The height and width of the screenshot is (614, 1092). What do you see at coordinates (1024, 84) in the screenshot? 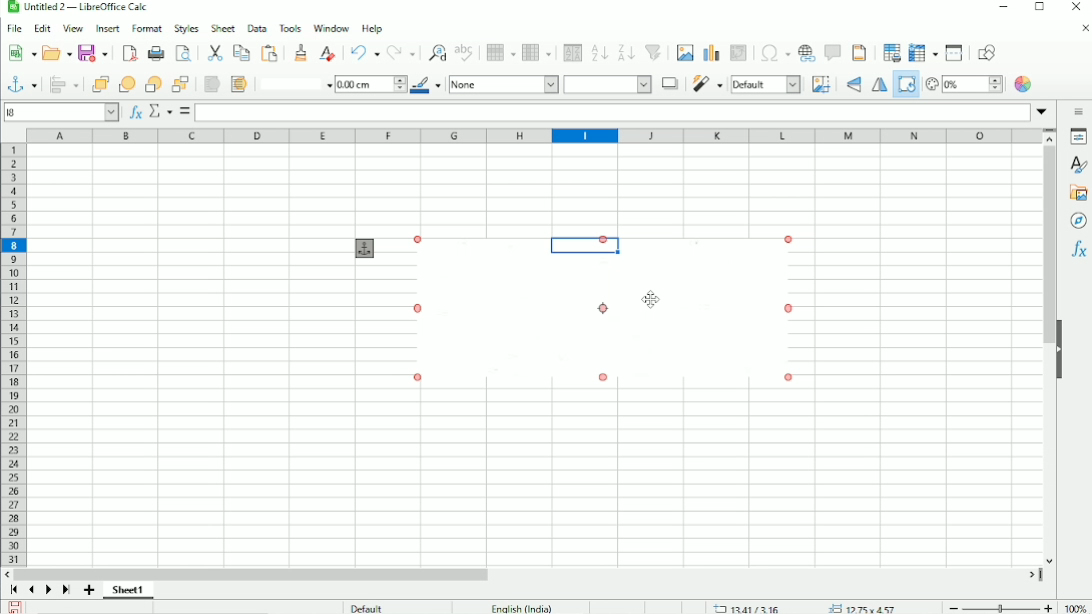
I see `Color` at bounding box center [1024, 84].